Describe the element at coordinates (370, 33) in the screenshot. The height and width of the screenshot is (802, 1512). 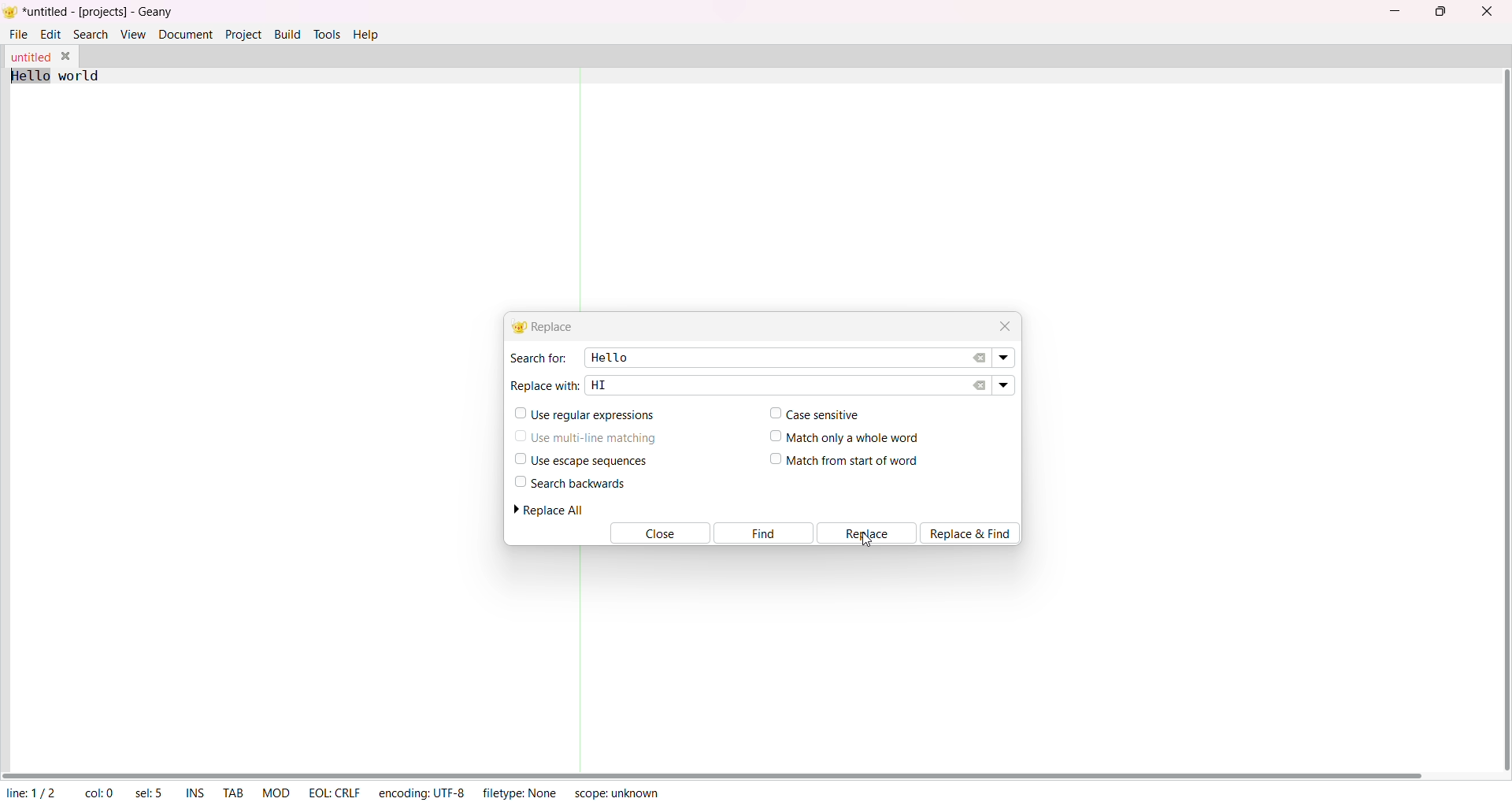
I see `help` at that location.